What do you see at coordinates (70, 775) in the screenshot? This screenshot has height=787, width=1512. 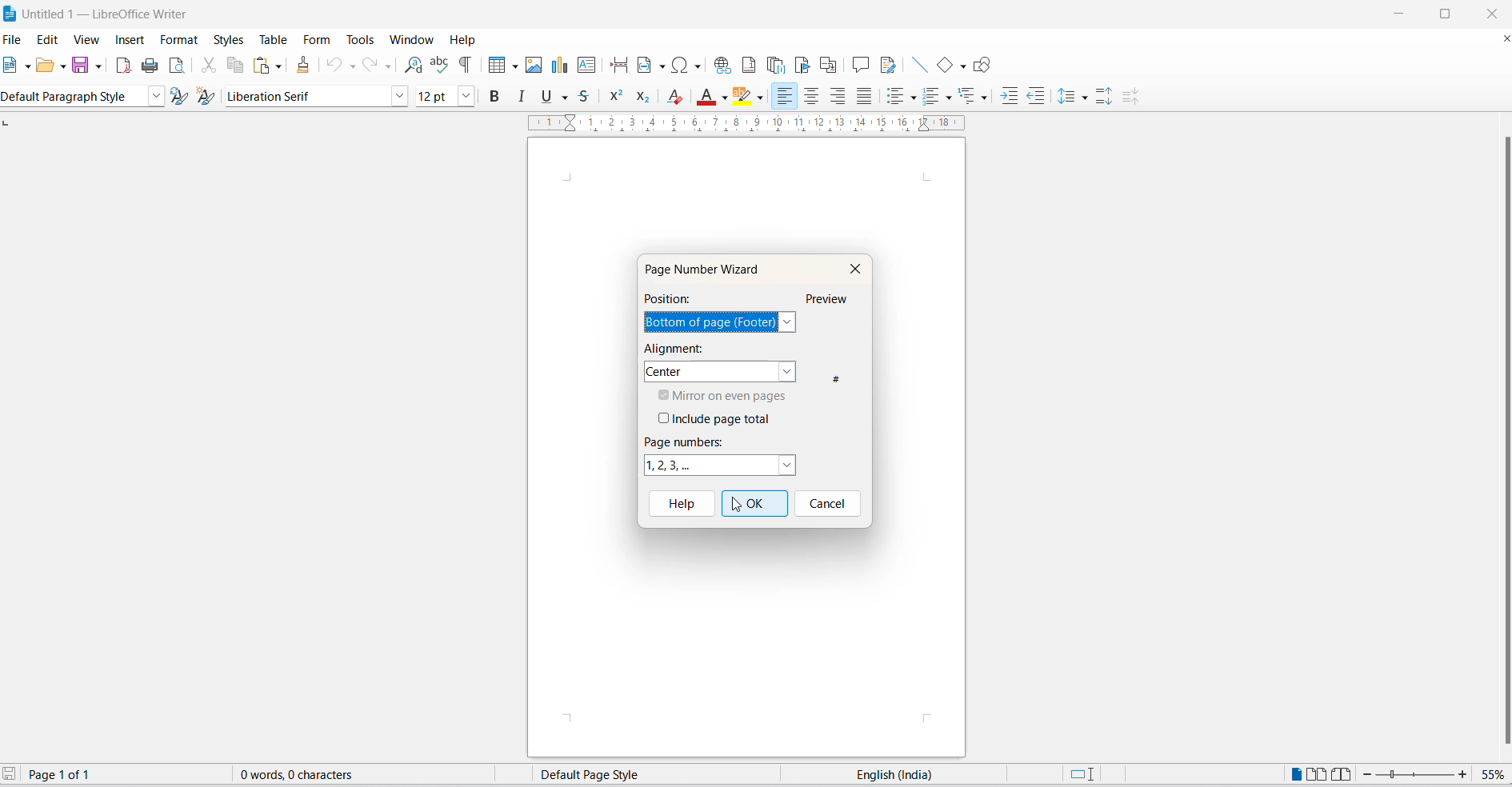 I see `Page 1 of 1` at bounding box center [70, 775].